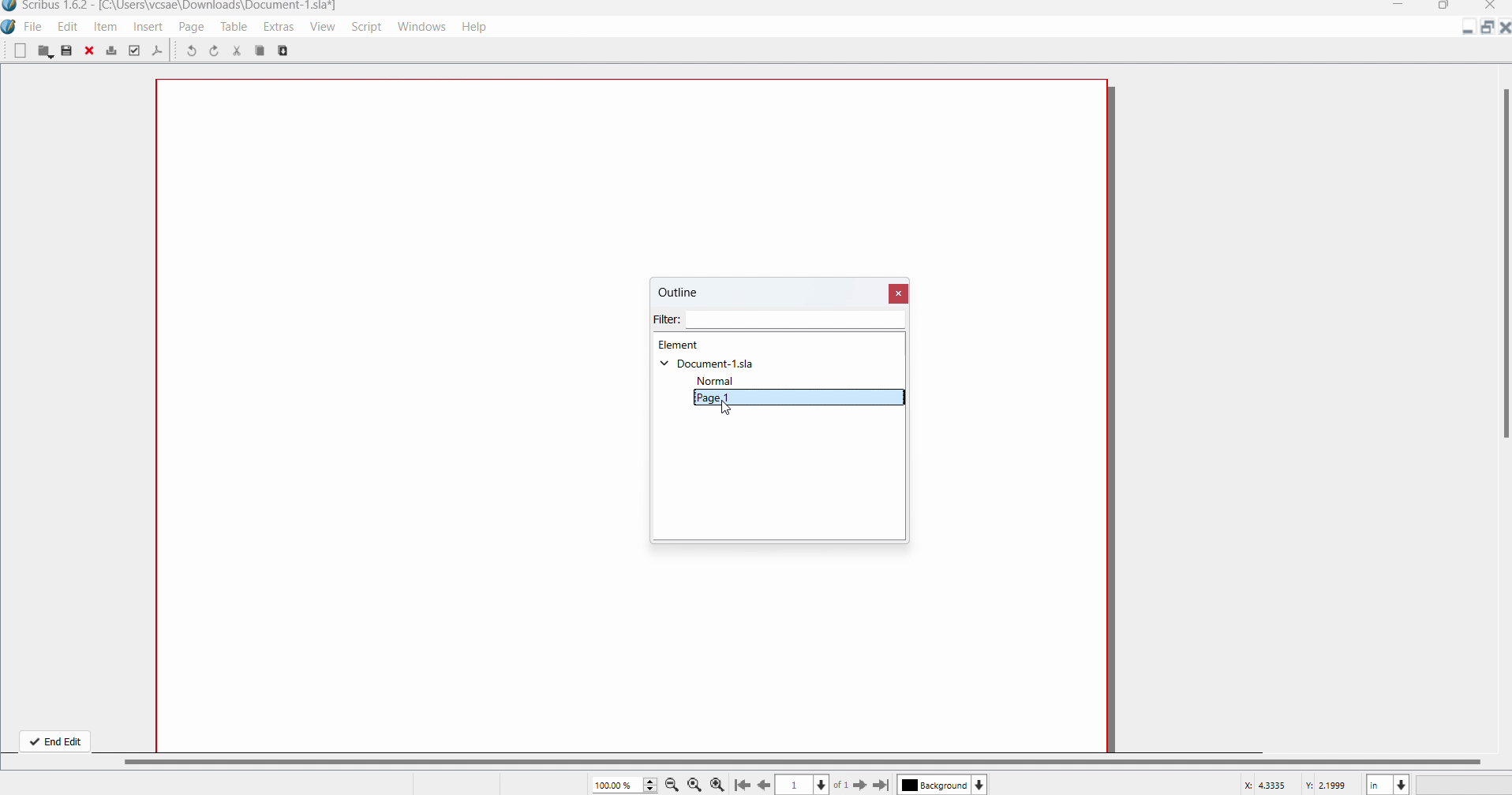 The image size is (1512, 795). What do you see at coordinates (624, 784) in the screenshot?
I see `100%` at bounding box center [624, 784].